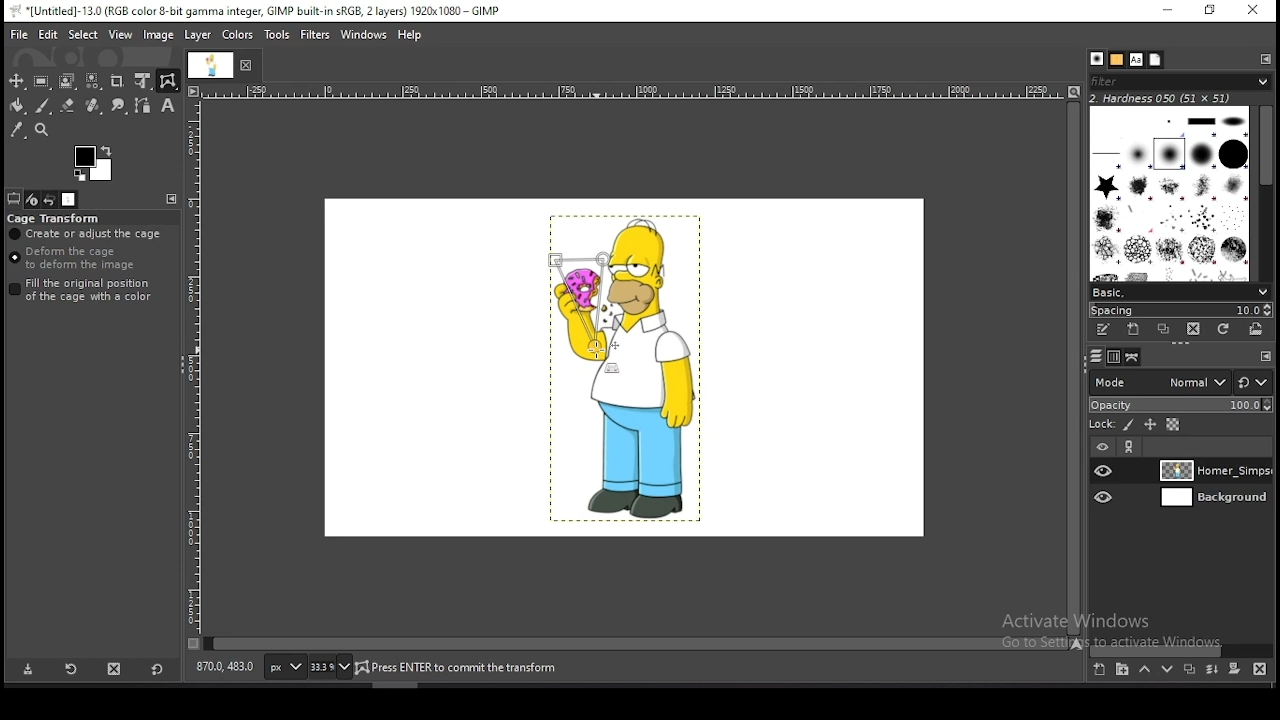  What do you see at coordinates (1213, 471) in the screenshot?
I see `layer` at bounding box center [1213, 471].